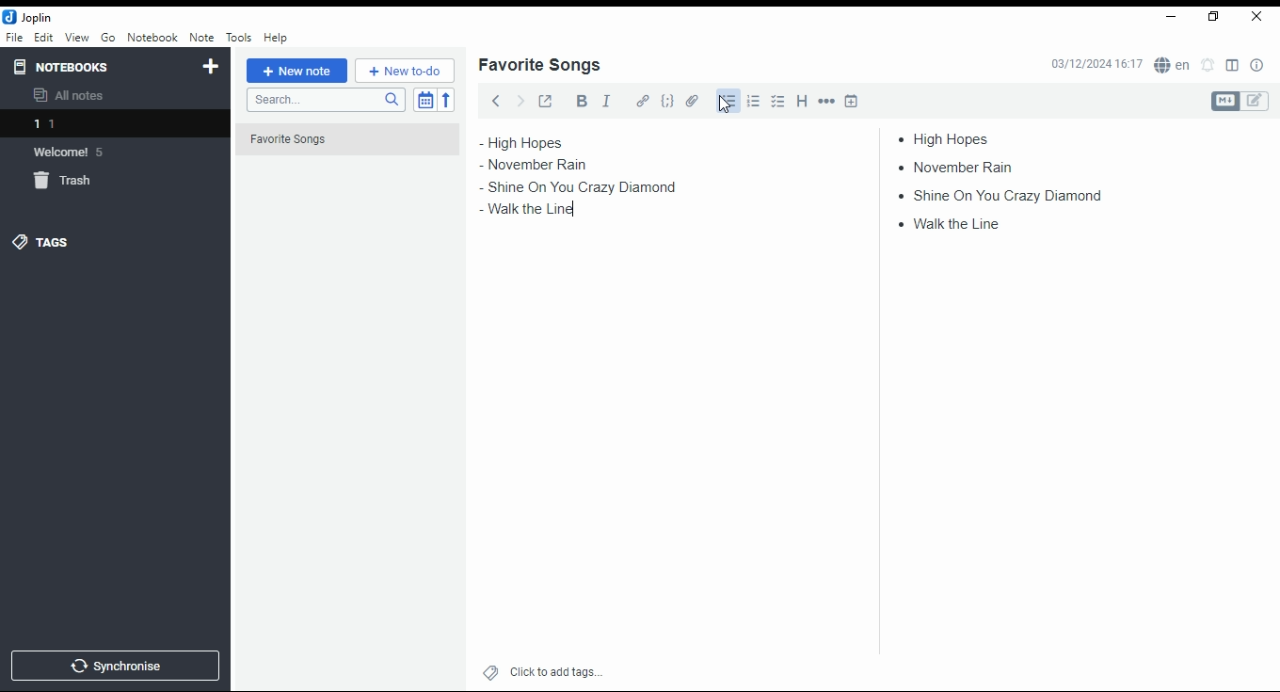 This screenshot has height=692, width=1280. What do you see at coordinates (73, 151) in the screenshot?
I see `notebook: welcome` at bounding box center [73, 151].